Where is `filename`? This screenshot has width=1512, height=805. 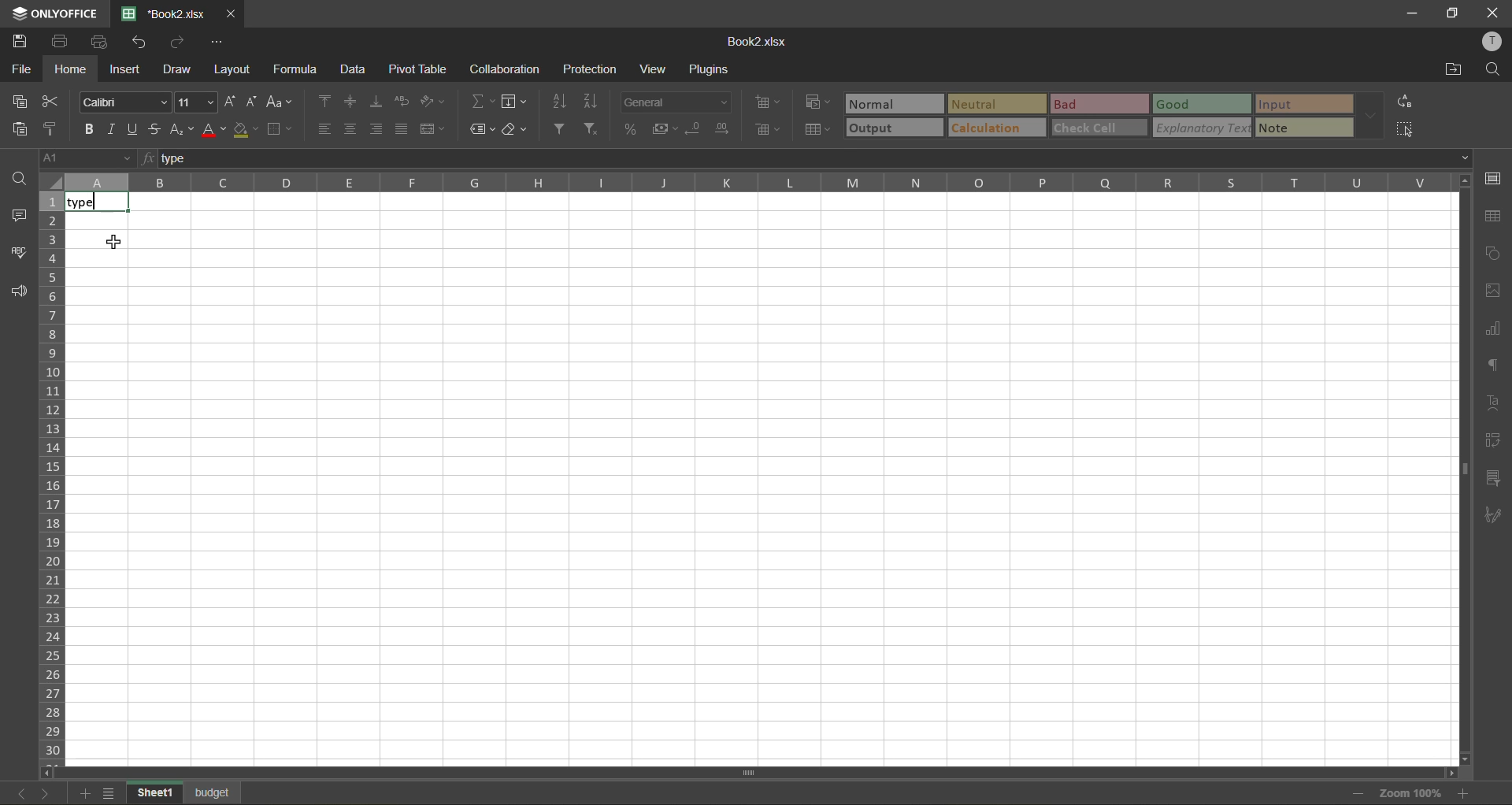
filename is located at coordinates (760, 40).